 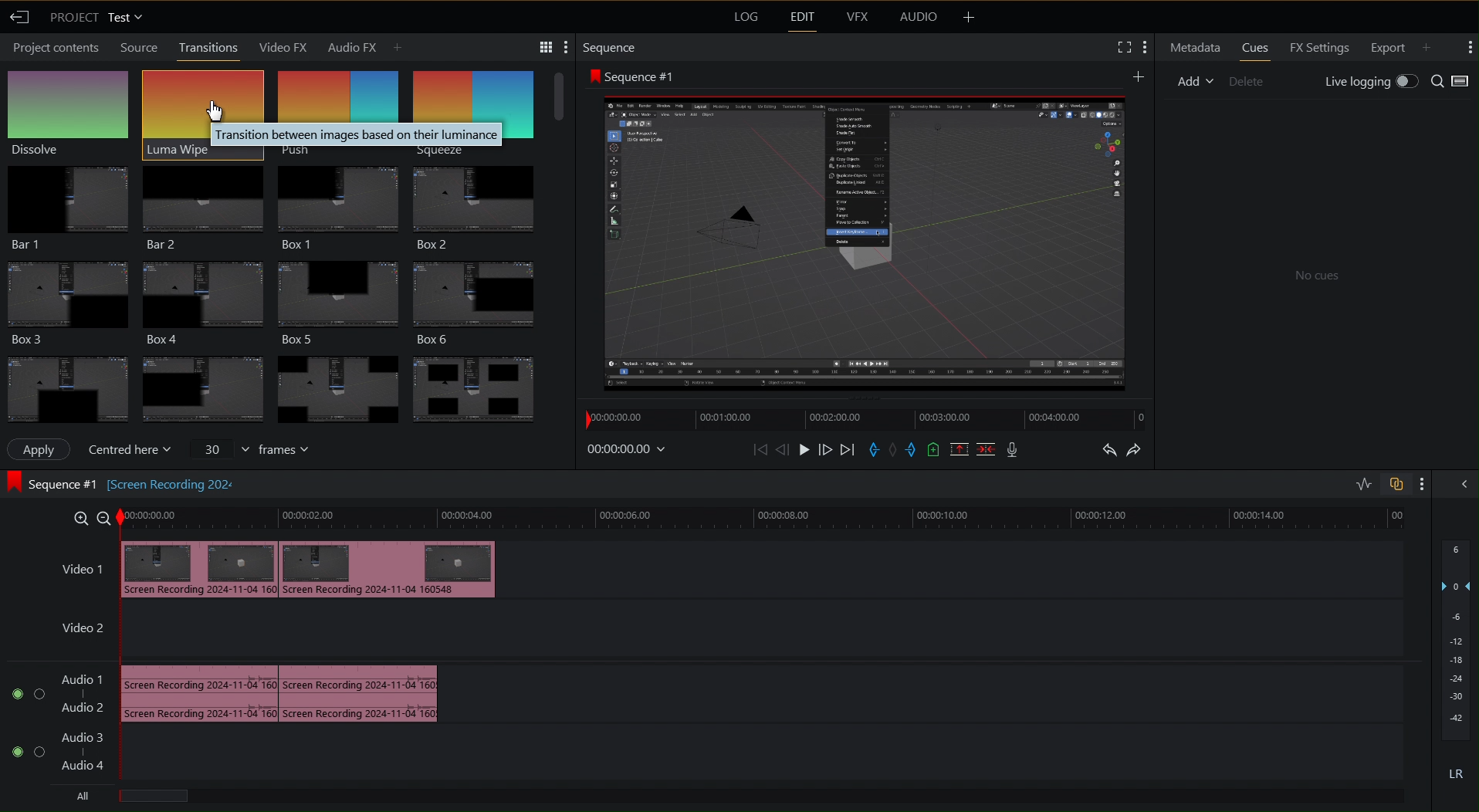 What do you see at coordinates (1132, 48) in the screenshot?
I see `Settings` at bounding box center [1132, 48].